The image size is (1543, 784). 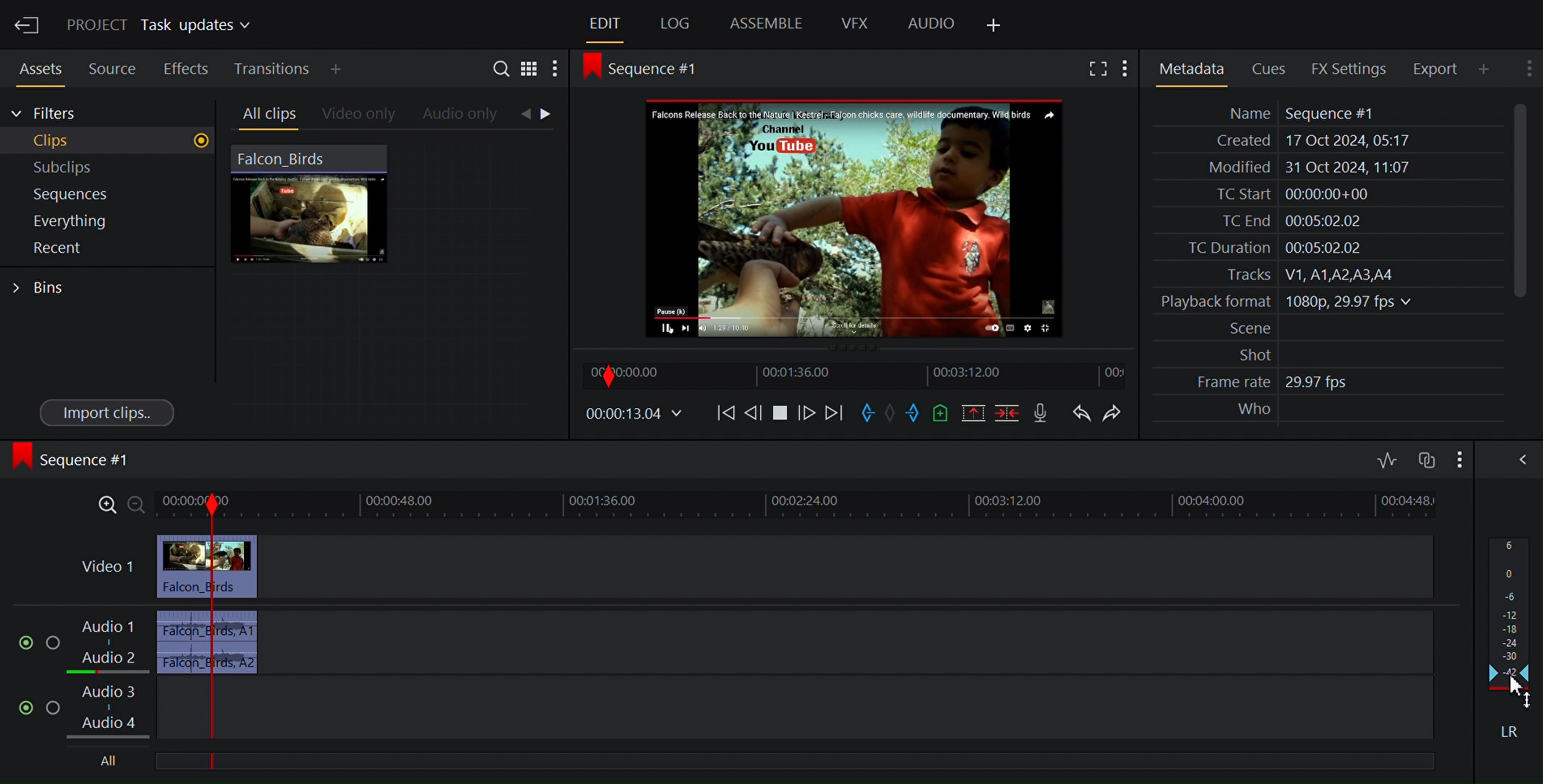 I want to click on Undo , so click(x=1082, y=411).